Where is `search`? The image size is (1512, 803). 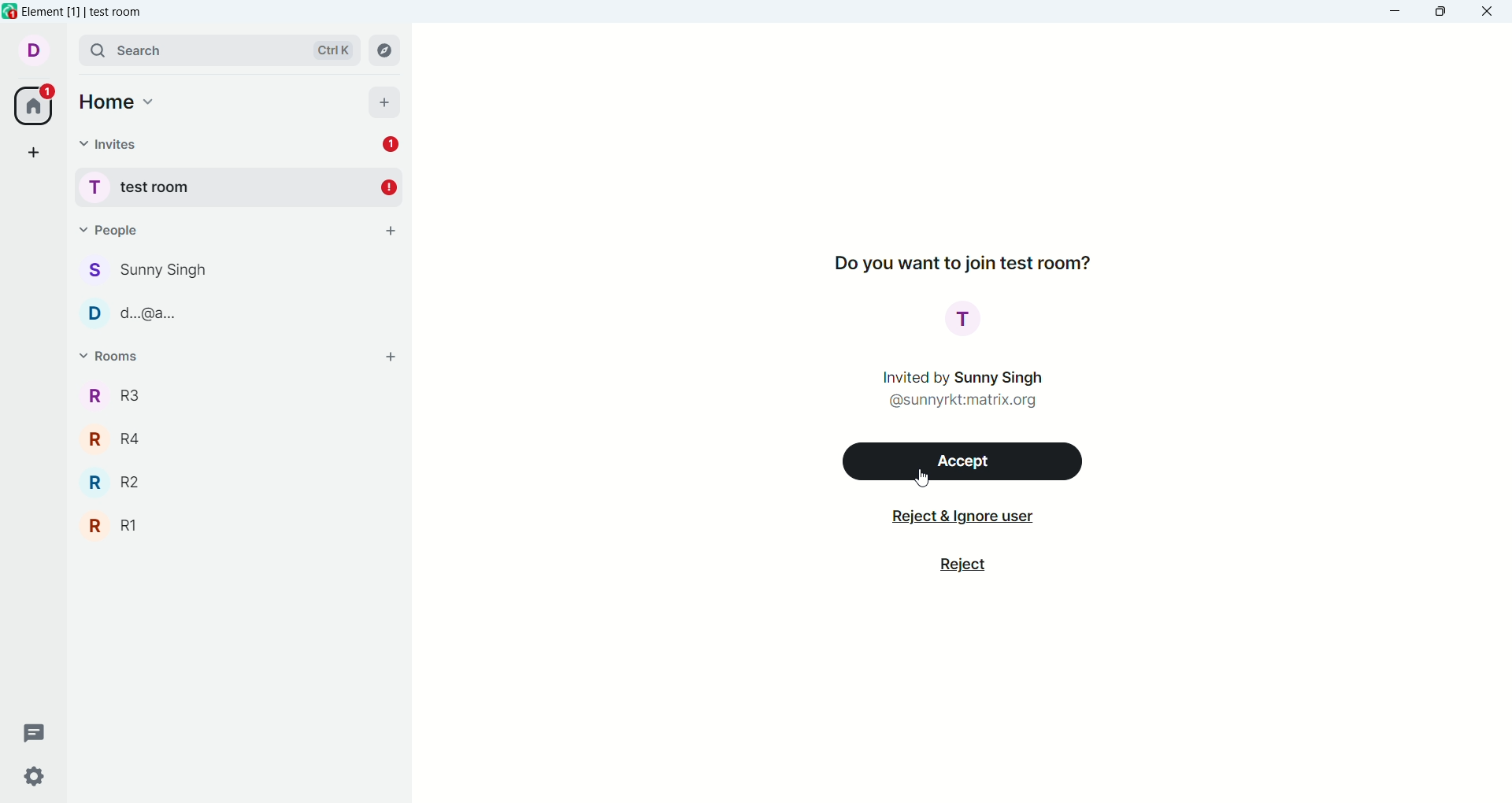 search is located at coordinates (214, 47).